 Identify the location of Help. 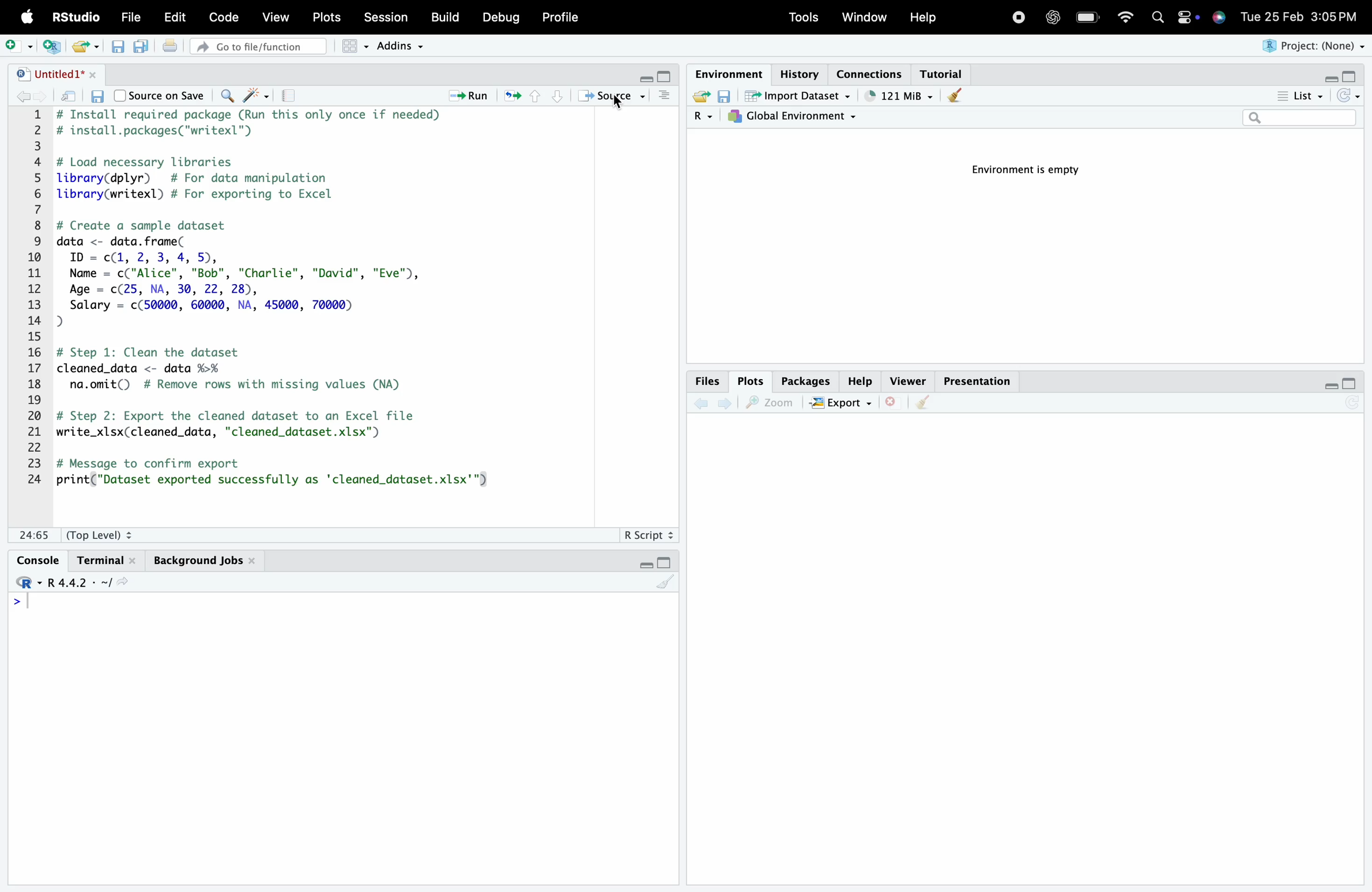
(862, 381).